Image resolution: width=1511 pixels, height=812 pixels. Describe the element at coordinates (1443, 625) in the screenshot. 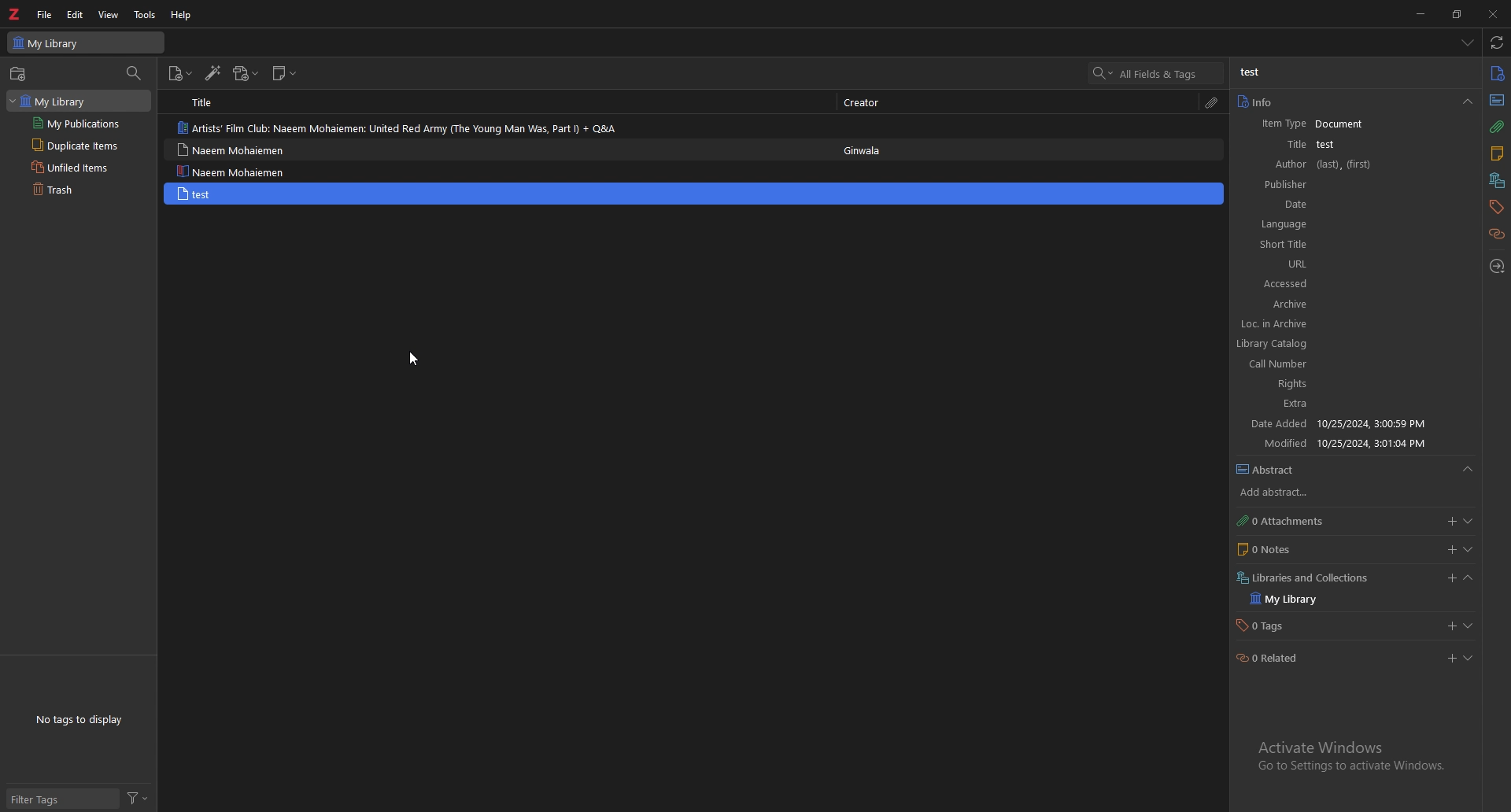

I see `Add attachment` at that location.